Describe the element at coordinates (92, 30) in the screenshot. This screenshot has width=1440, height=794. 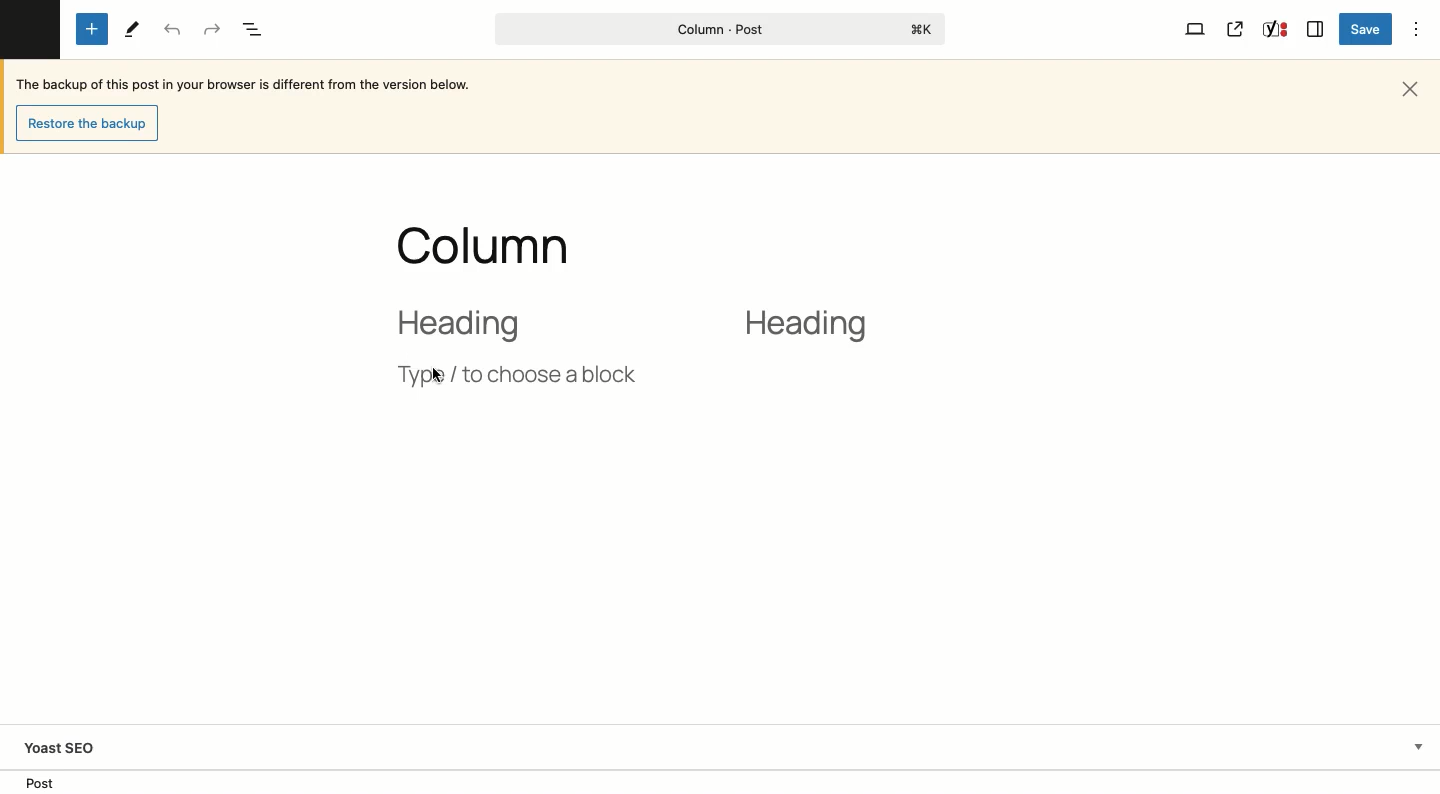
I see `Add new block` at that location.